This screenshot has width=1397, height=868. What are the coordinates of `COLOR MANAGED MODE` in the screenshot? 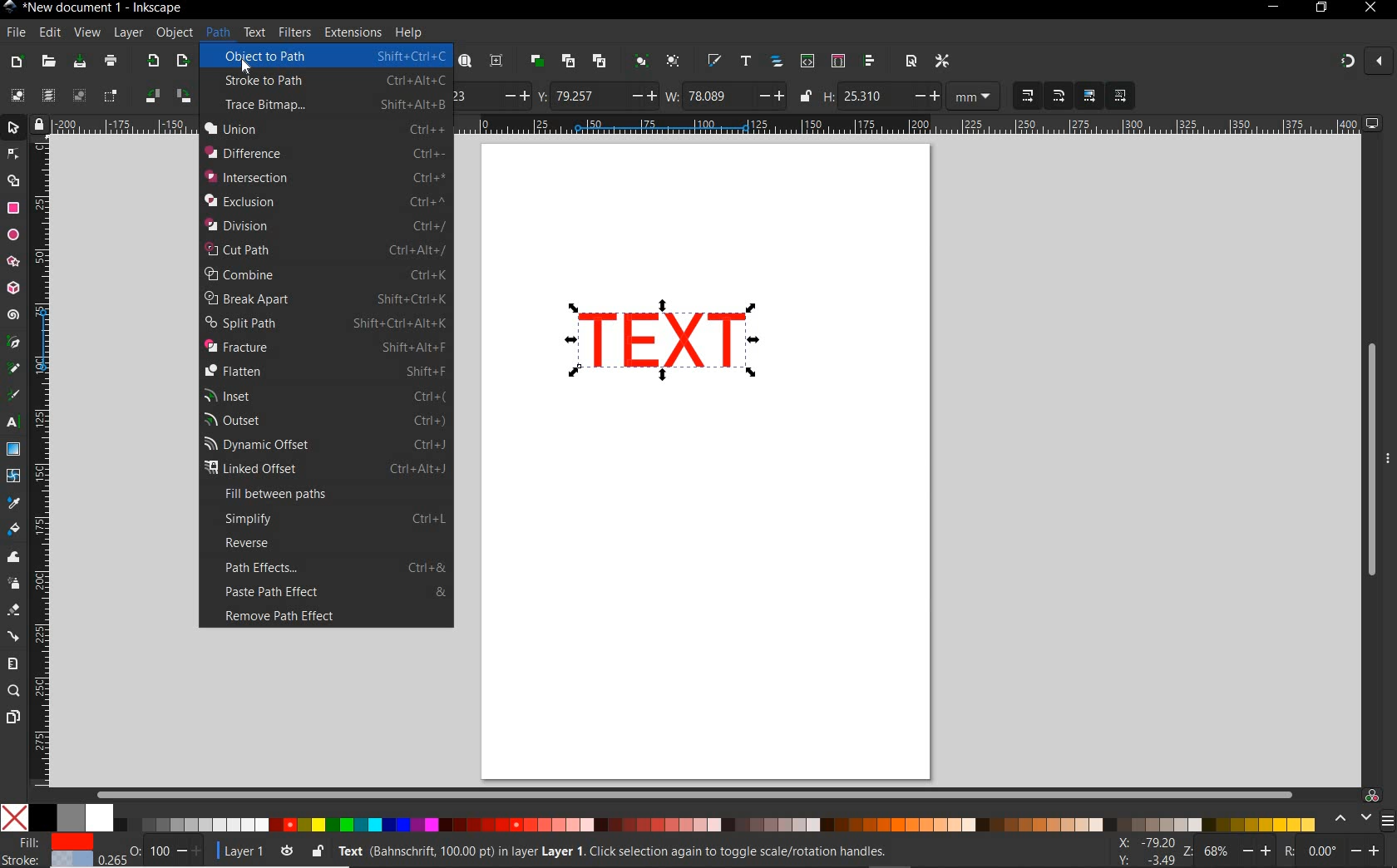 It's located at (1361, 809).